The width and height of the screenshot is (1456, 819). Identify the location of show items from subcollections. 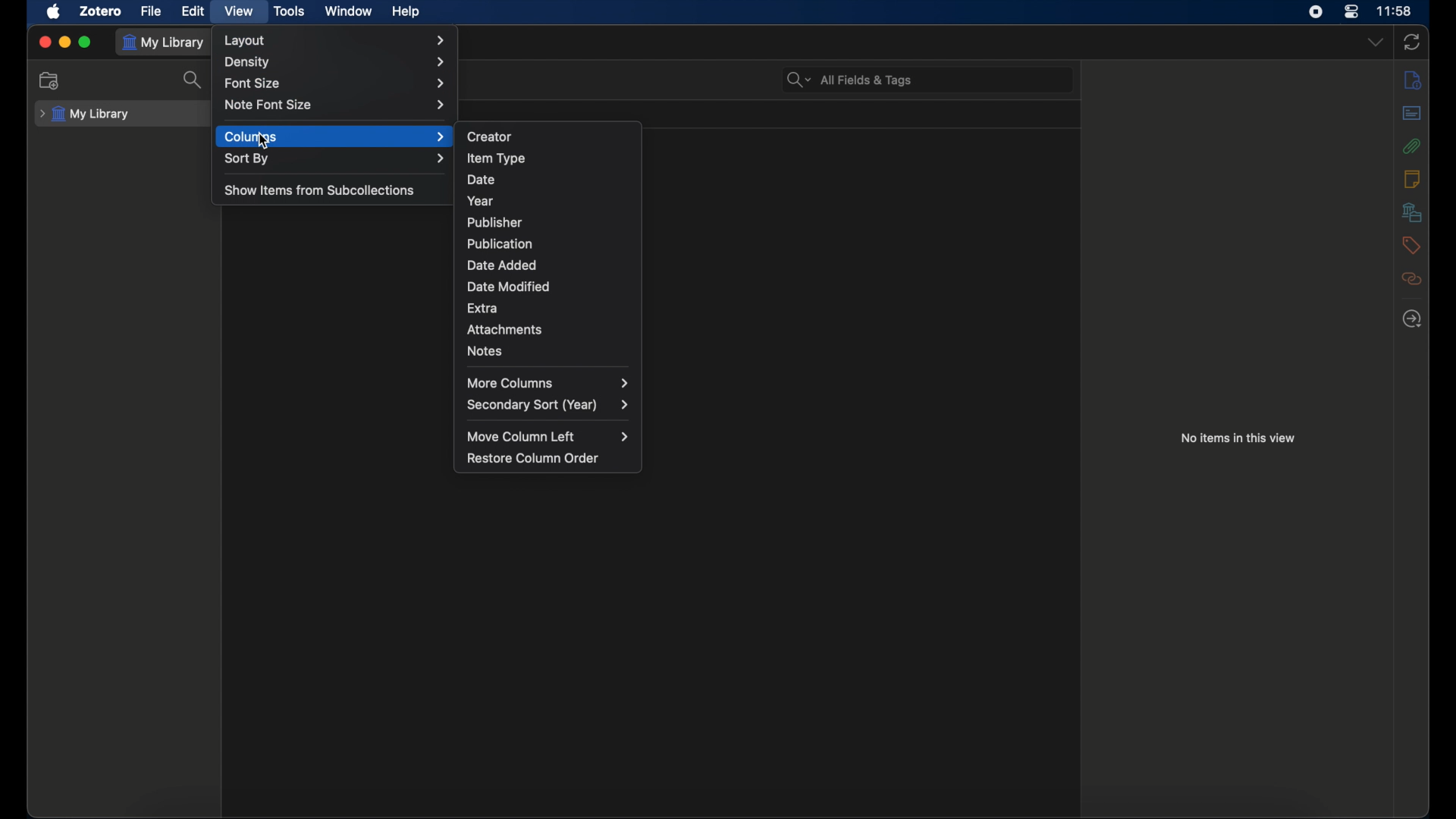
(318, 189).